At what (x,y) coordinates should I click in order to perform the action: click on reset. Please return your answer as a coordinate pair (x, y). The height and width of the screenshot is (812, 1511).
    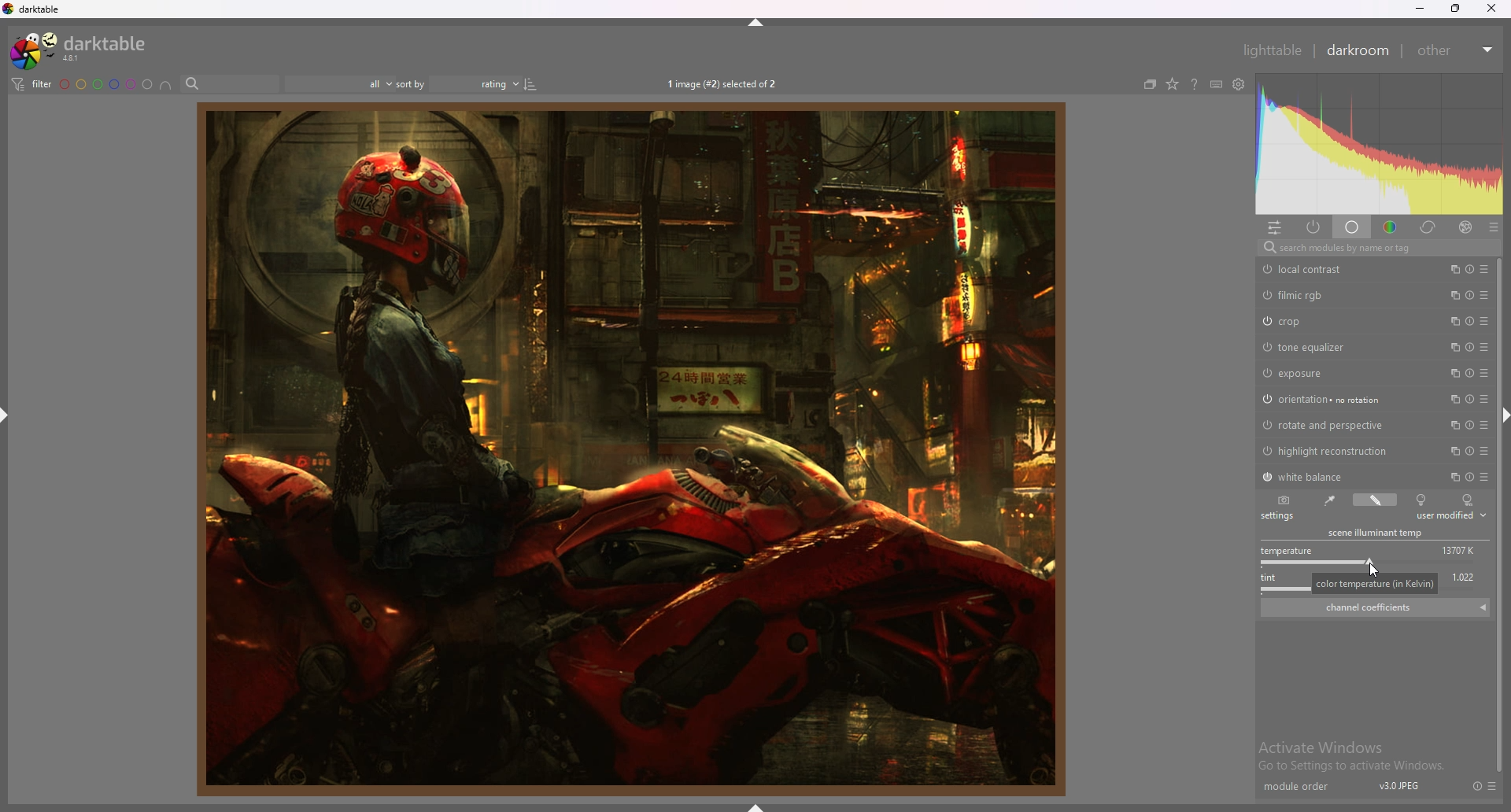
    Looking at the image, I should click on (1471, 425).